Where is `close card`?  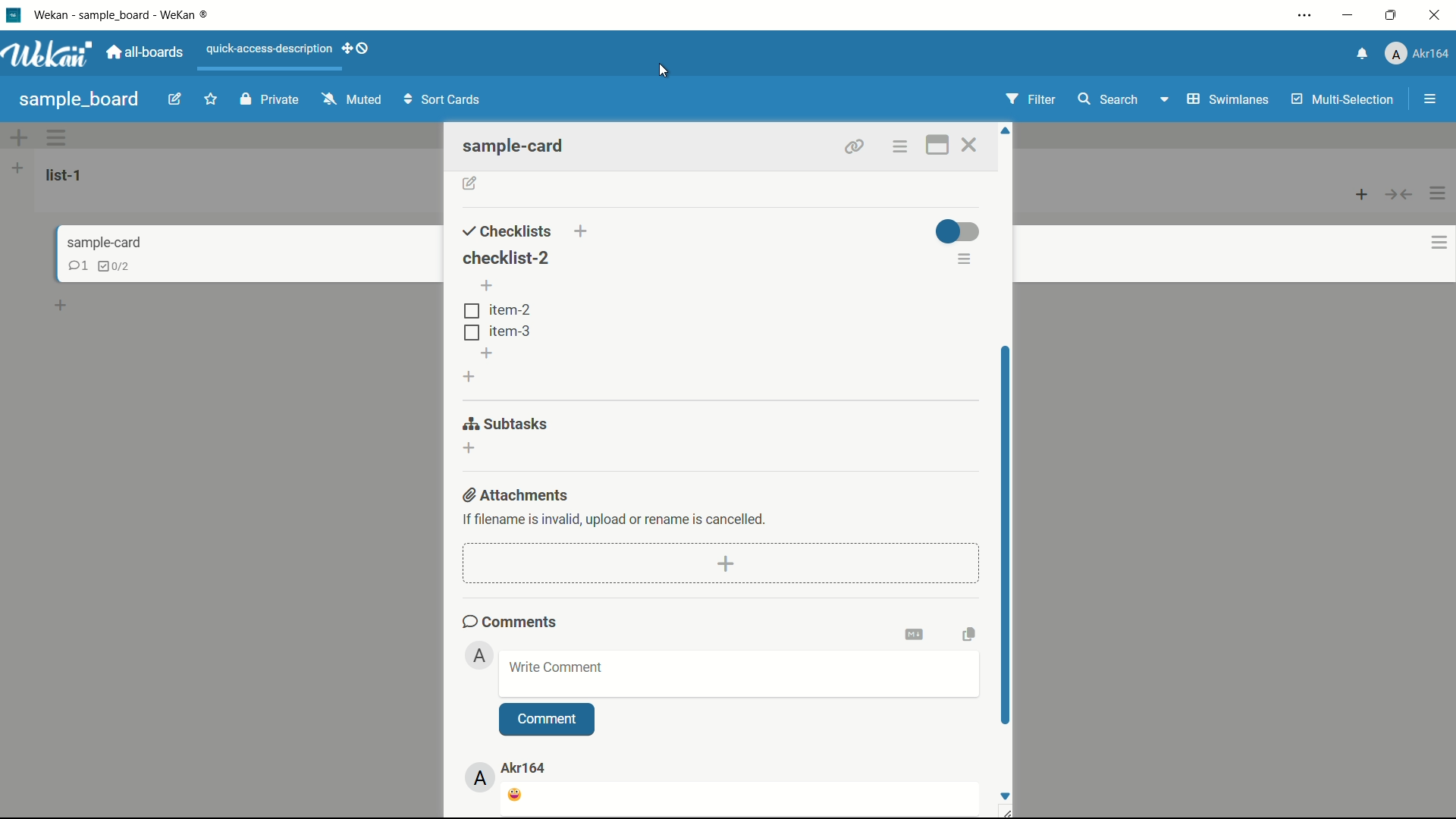
close card is located at coordinates (973, 145).